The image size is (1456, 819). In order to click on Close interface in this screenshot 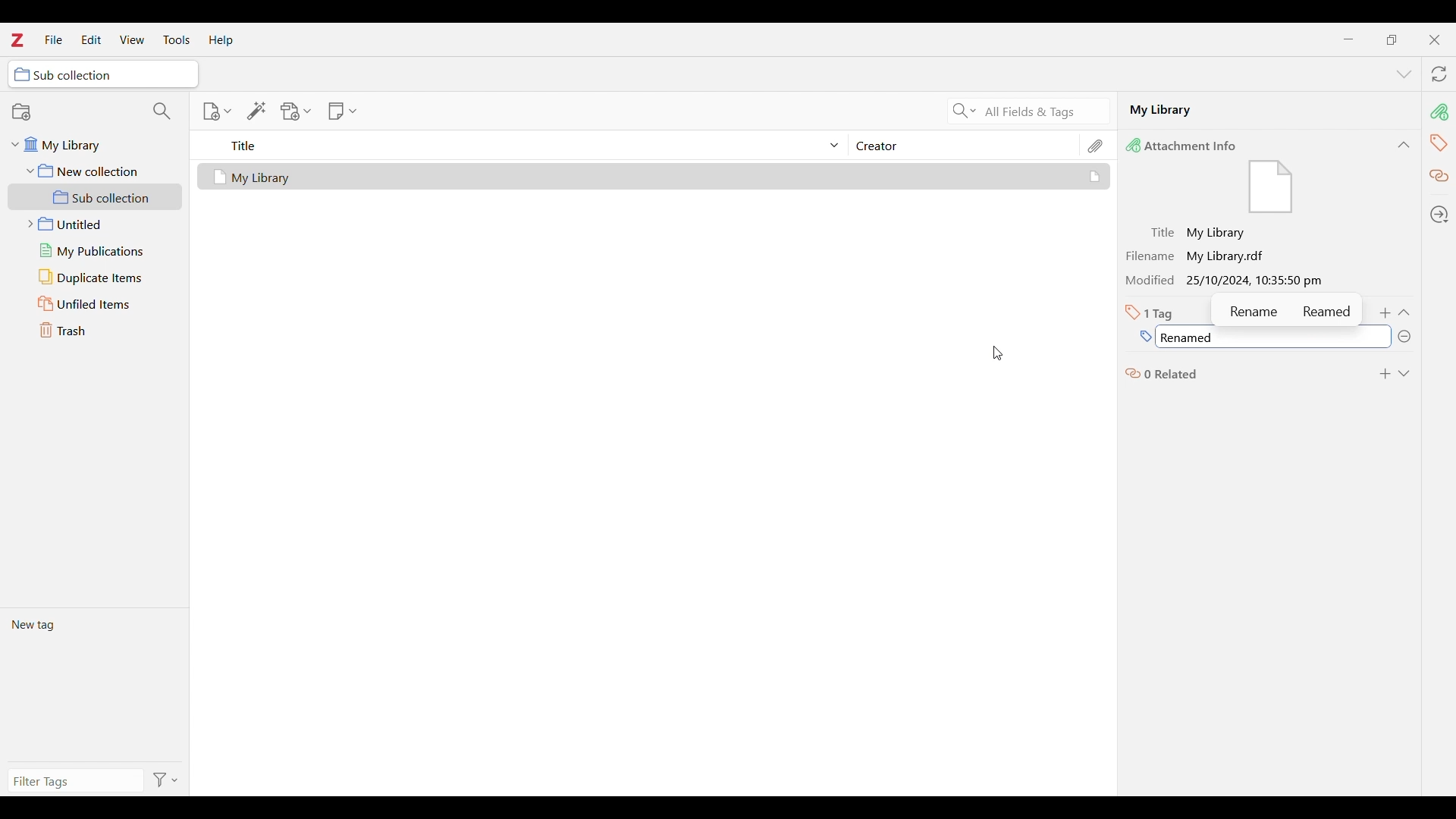, I will do `click(1434, 39)`.